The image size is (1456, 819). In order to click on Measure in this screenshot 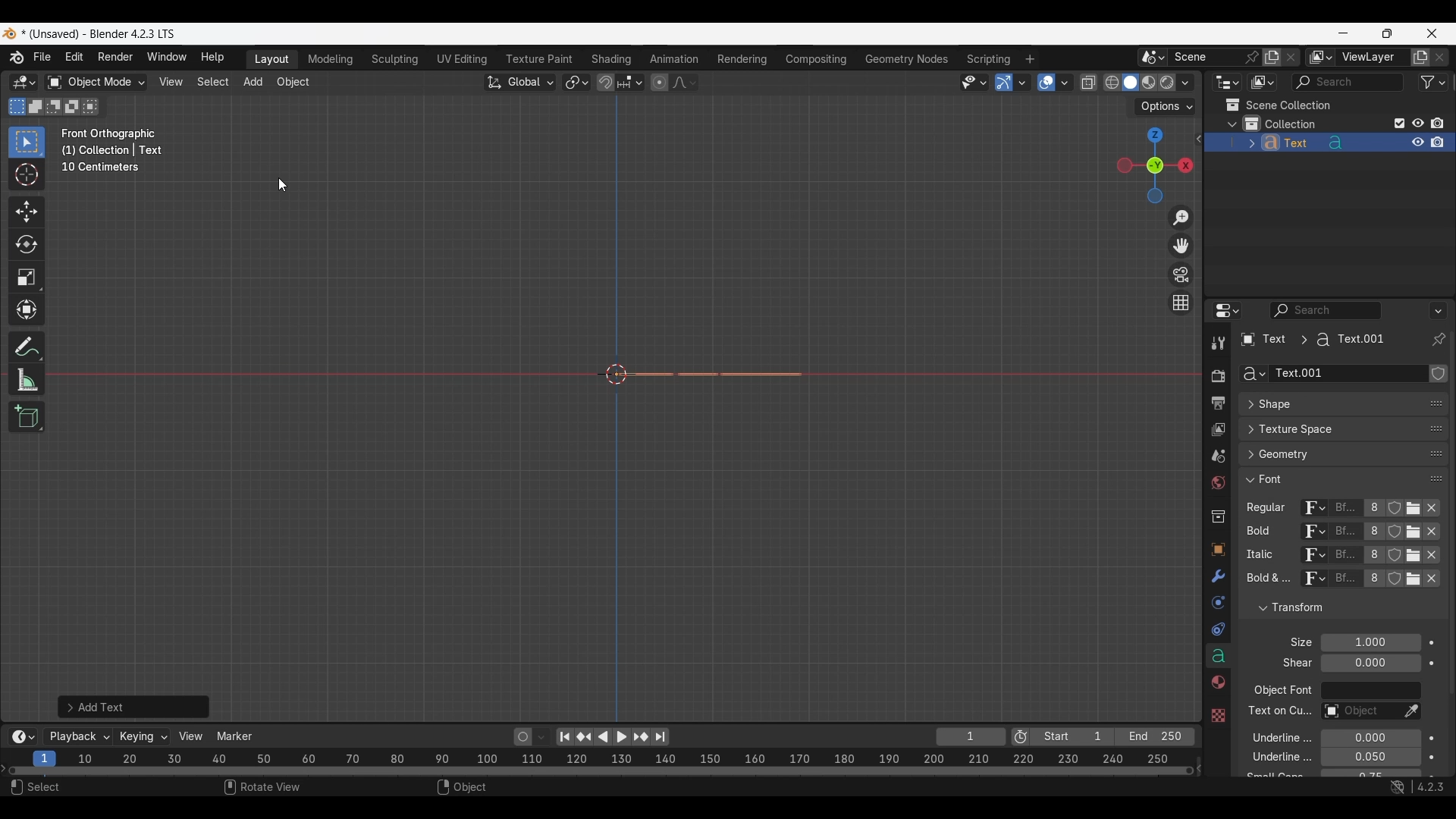, I will do `click(27, 380)`.